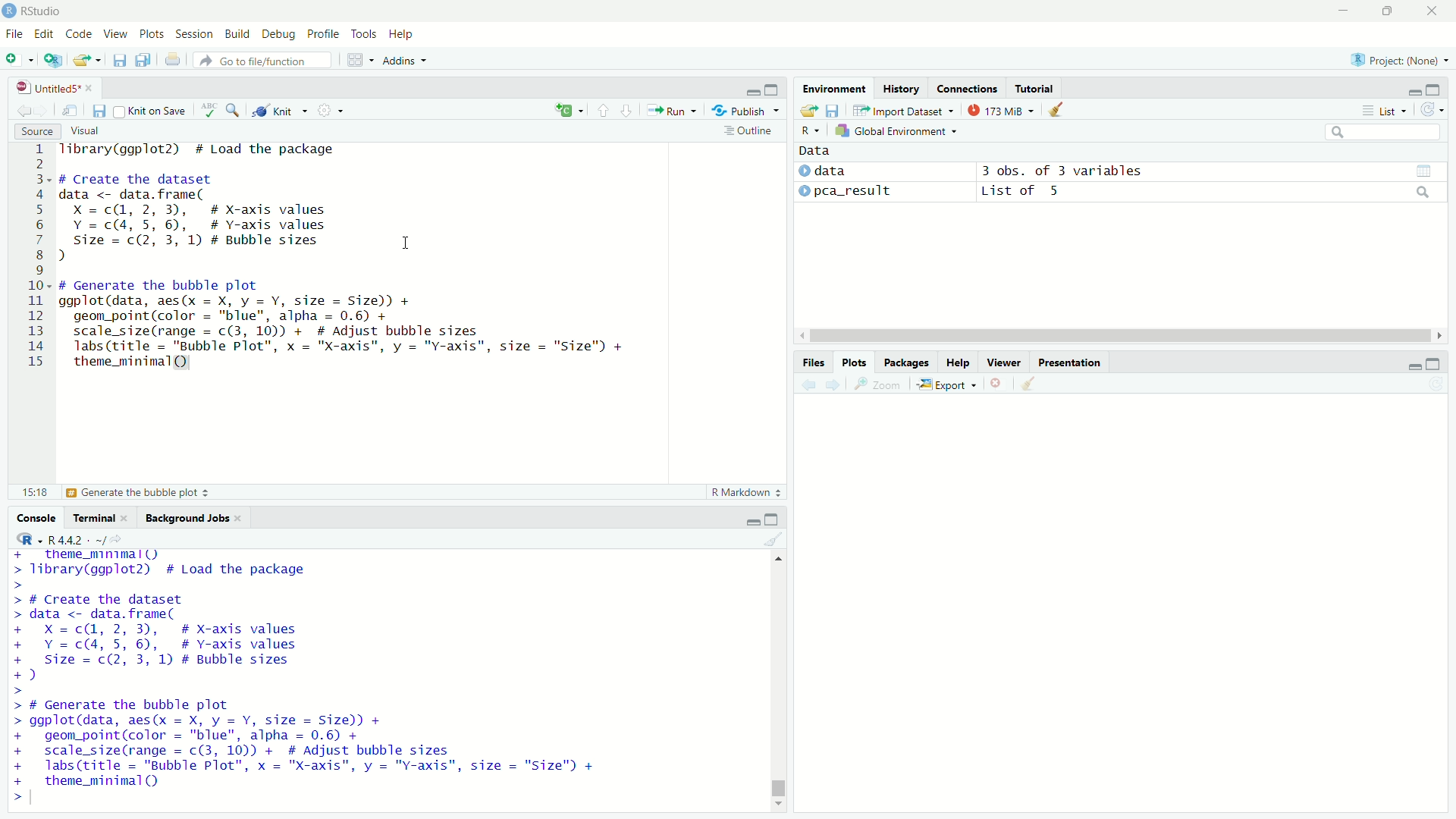 The width and height of the screenshot is (1456, 819). I want to click on File, so click(15, 34).